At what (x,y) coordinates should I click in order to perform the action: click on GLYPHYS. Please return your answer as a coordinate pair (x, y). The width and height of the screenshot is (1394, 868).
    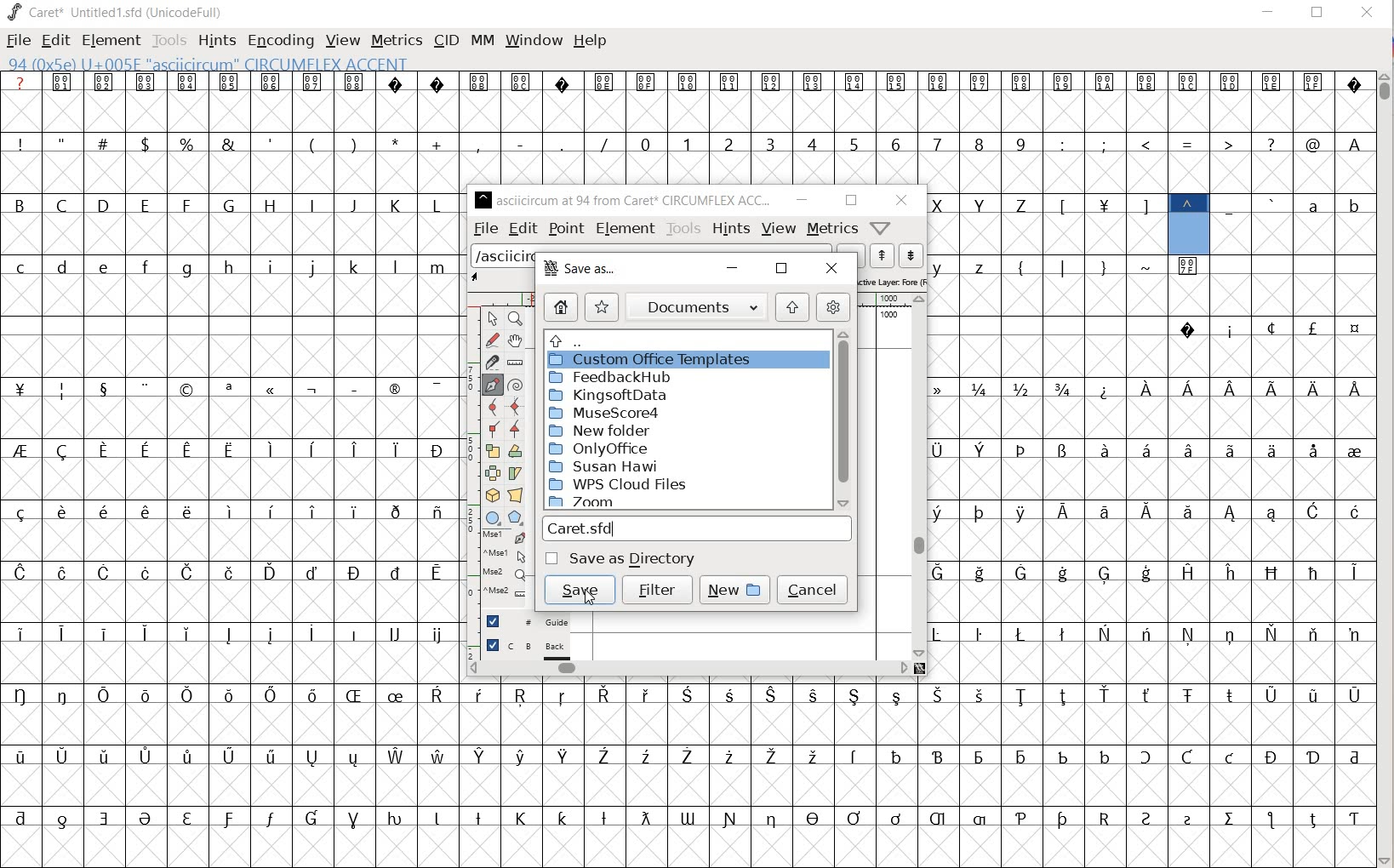
    Looking at the image, I should click on (231, 454).